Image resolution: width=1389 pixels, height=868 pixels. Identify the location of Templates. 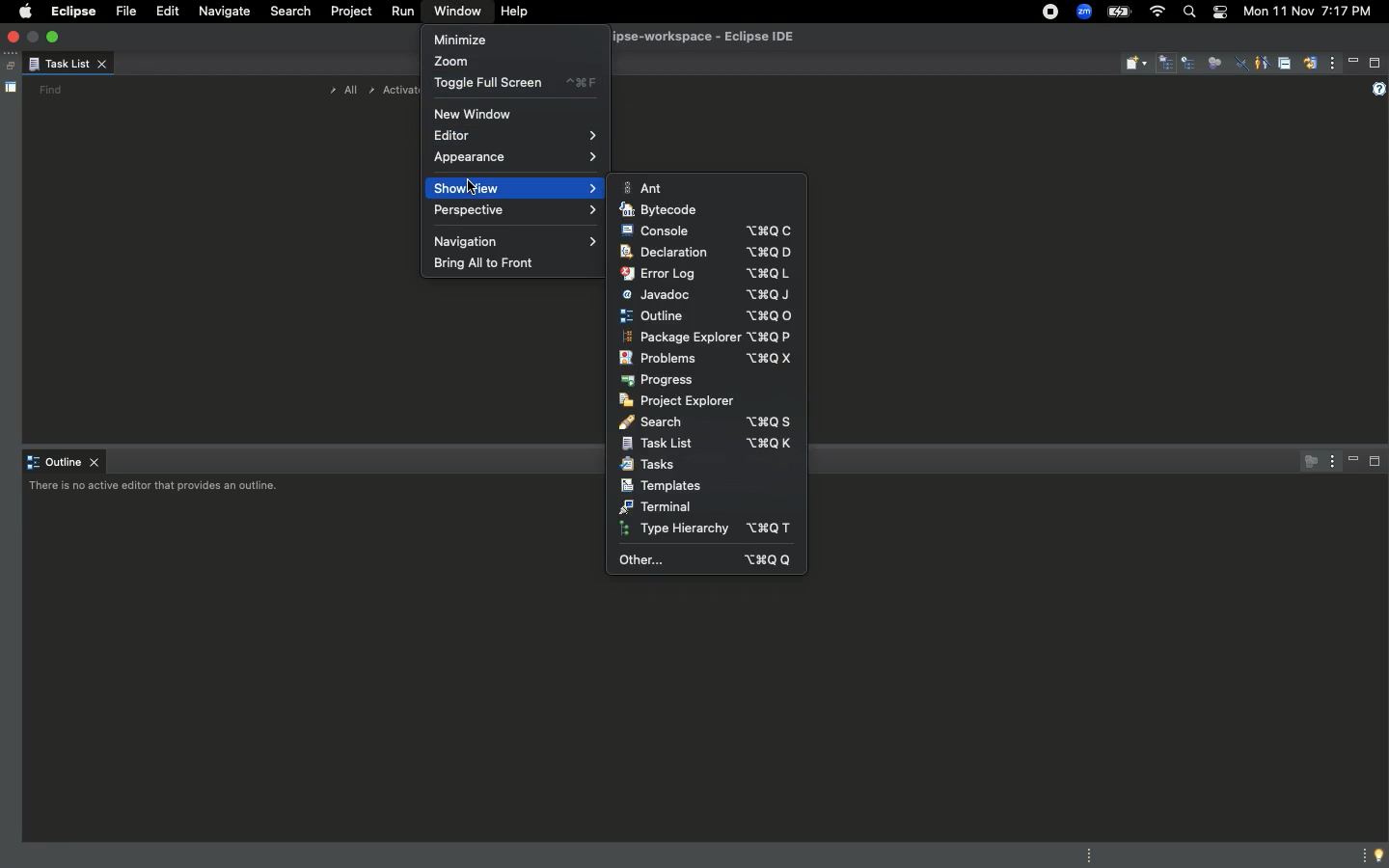
(662, 486).